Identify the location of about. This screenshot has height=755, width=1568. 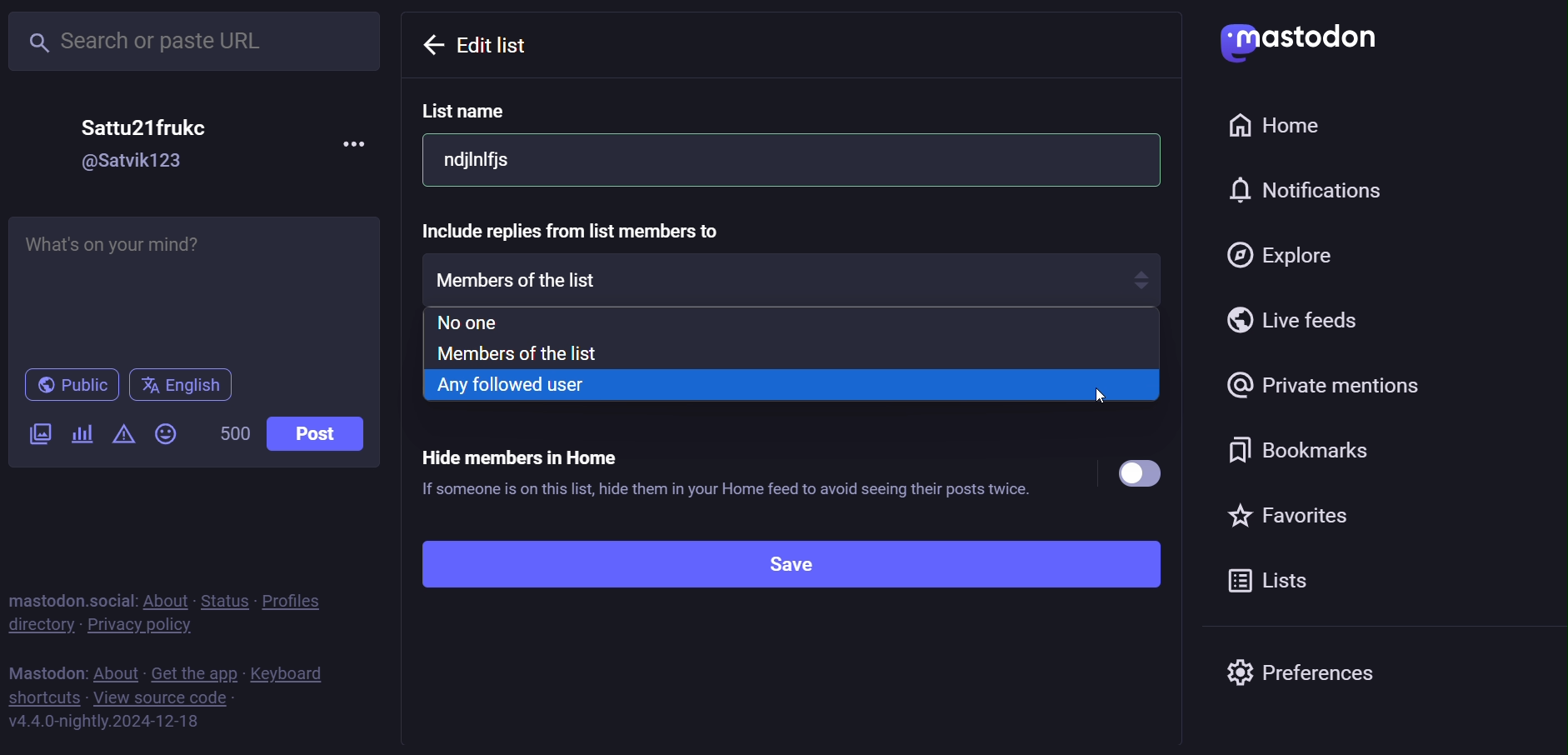
(165, 598).